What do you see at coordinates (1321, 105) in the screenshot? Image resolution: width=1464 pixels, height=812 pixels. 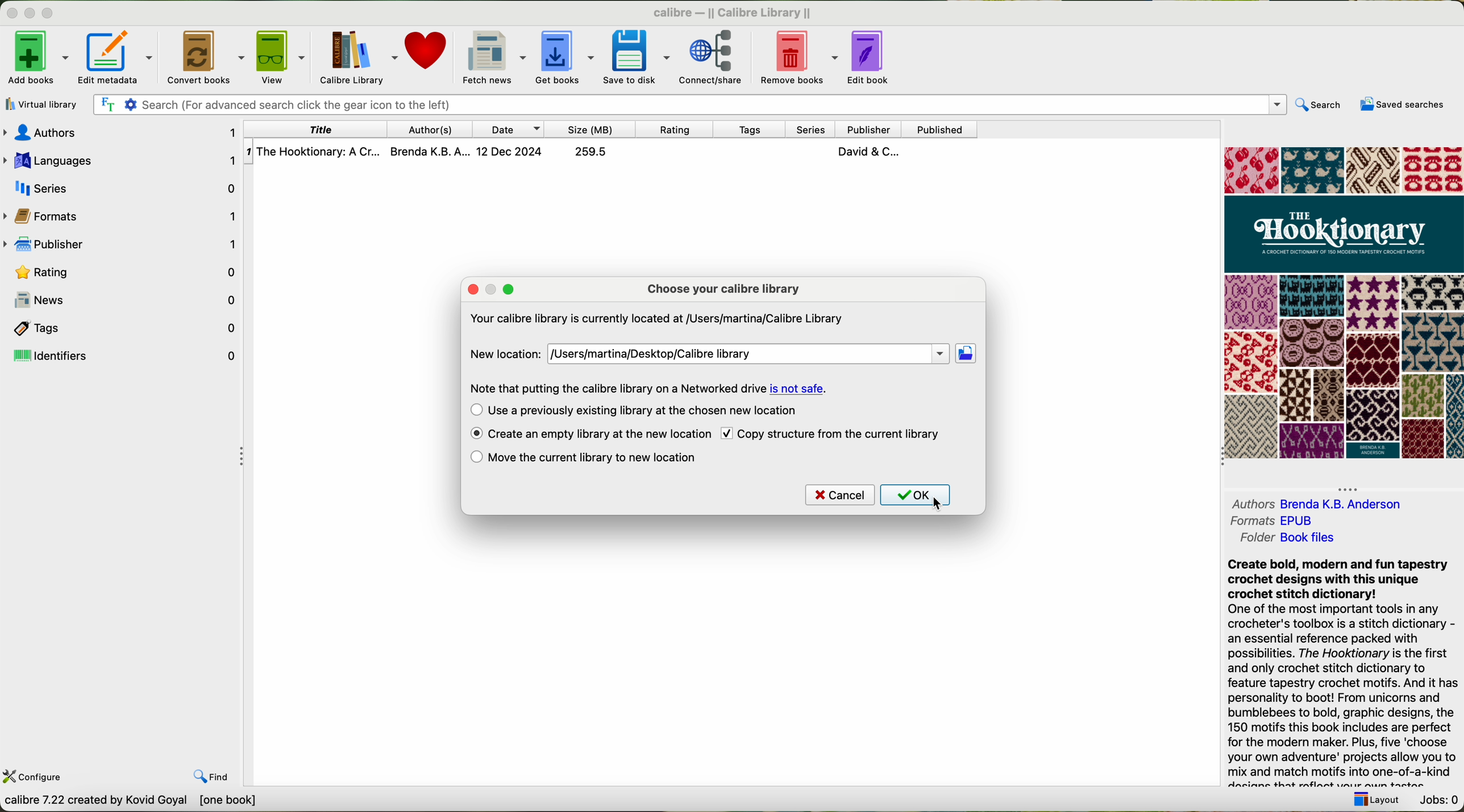 I see `search` at bounding box center [1321, 105].